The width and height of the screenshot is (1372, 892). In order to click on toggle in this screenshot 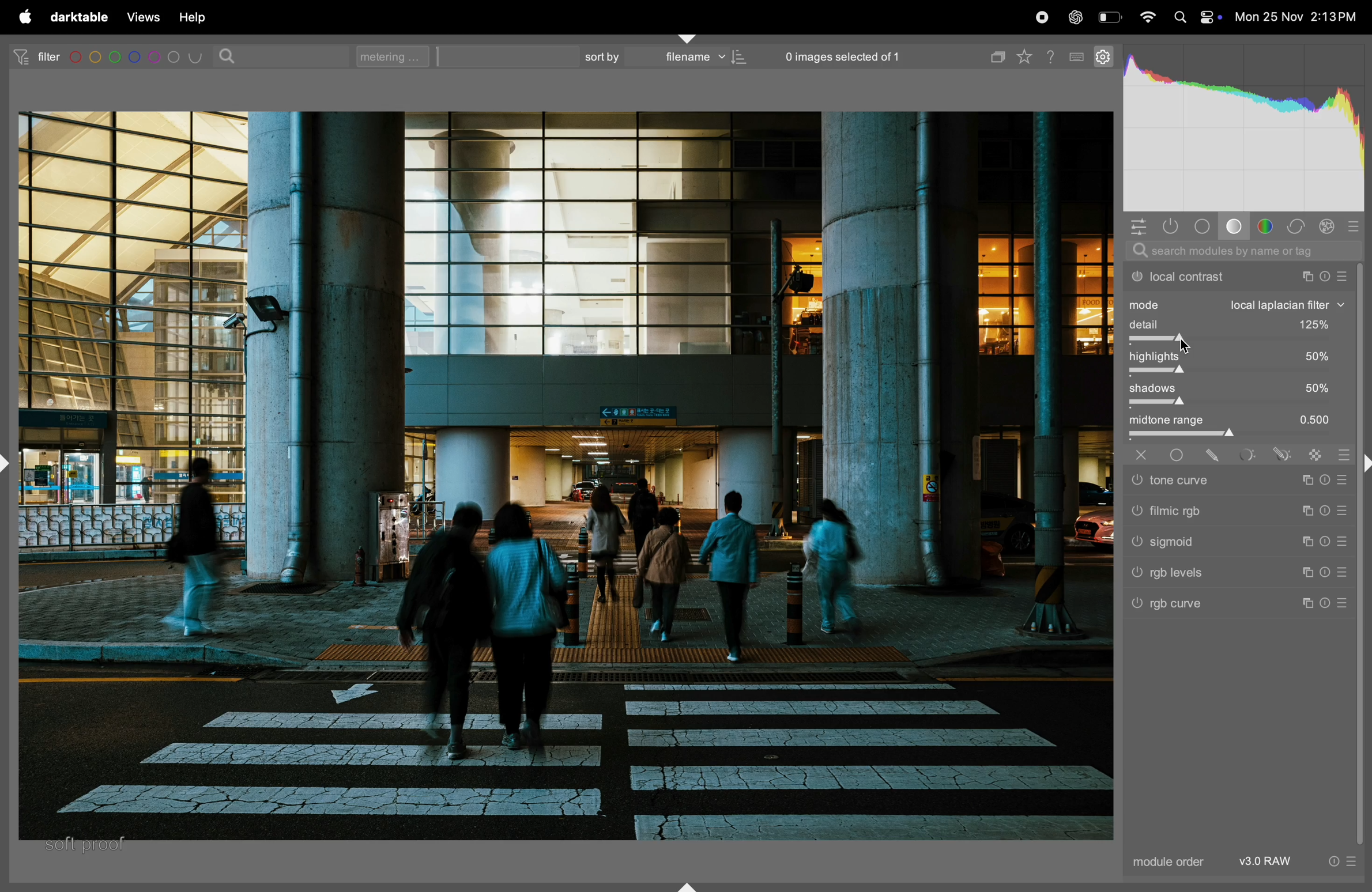, I will do `click(1238, 342)`.